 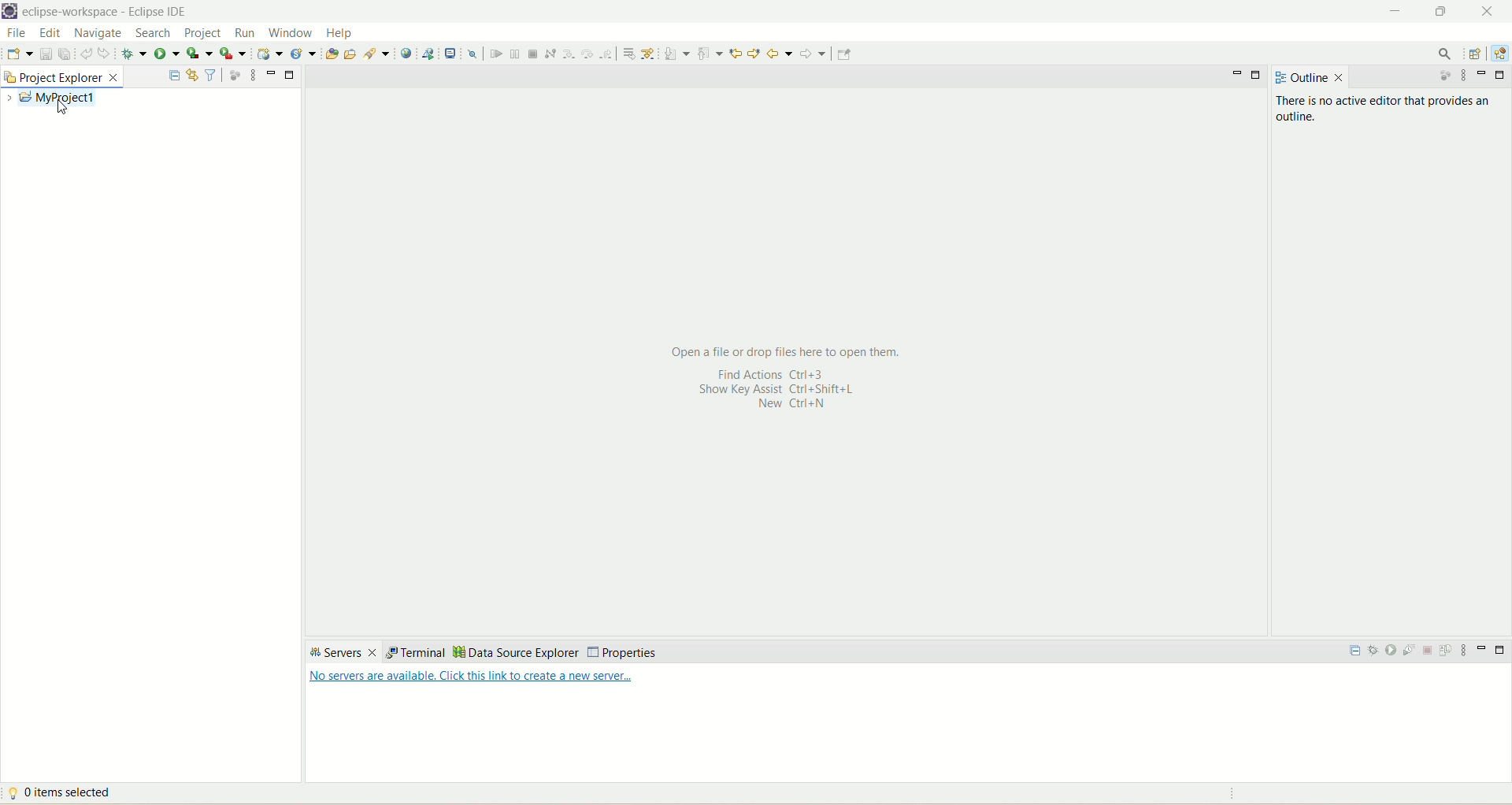 I want to click on terminal, so click(x=413, y=652).